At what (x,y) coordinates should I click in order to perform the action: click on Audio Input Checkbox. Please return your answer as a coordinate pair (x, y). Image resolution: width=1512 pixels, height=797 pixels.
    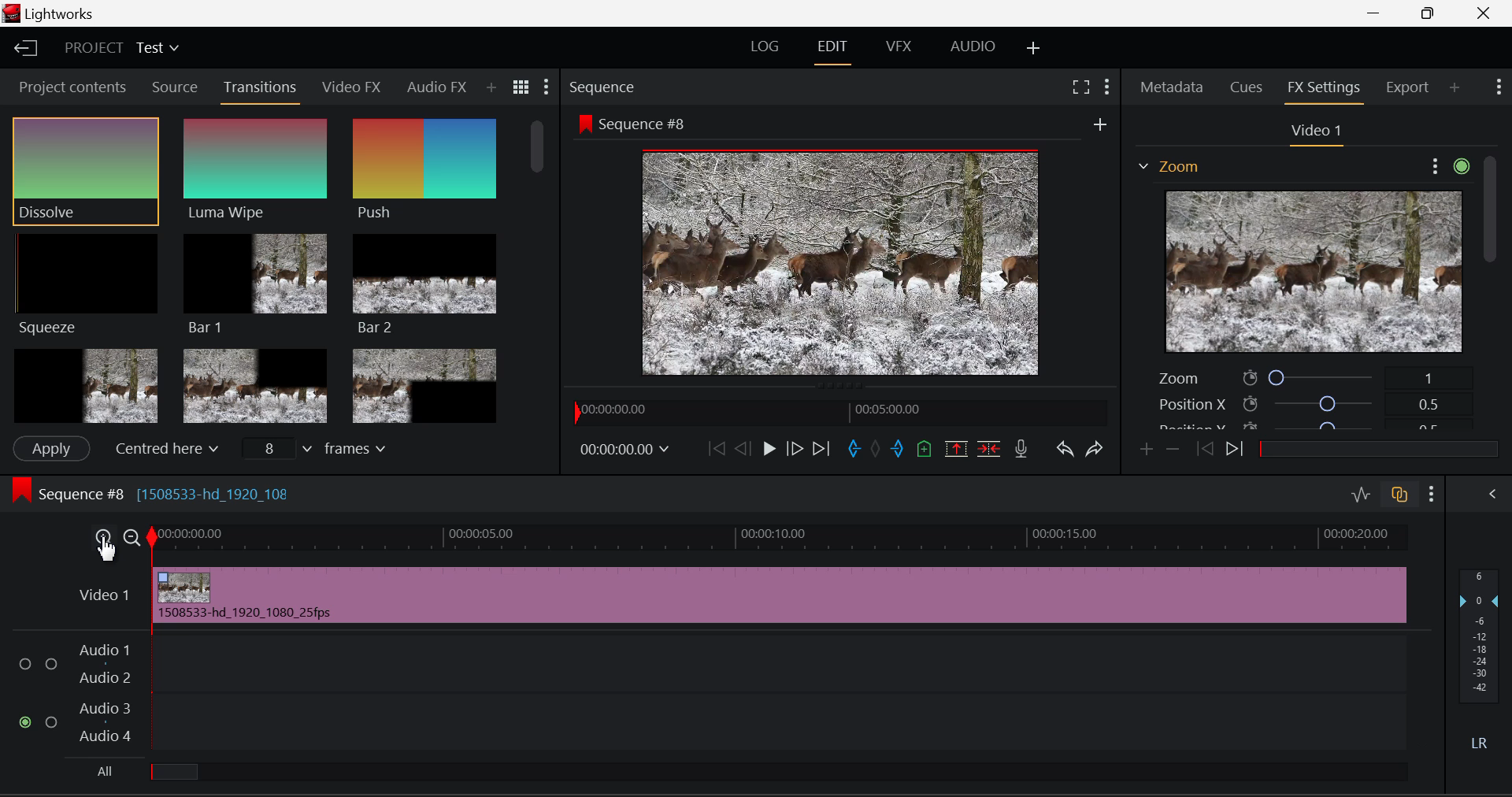
    Looking at the image, I should click on (51, 665).